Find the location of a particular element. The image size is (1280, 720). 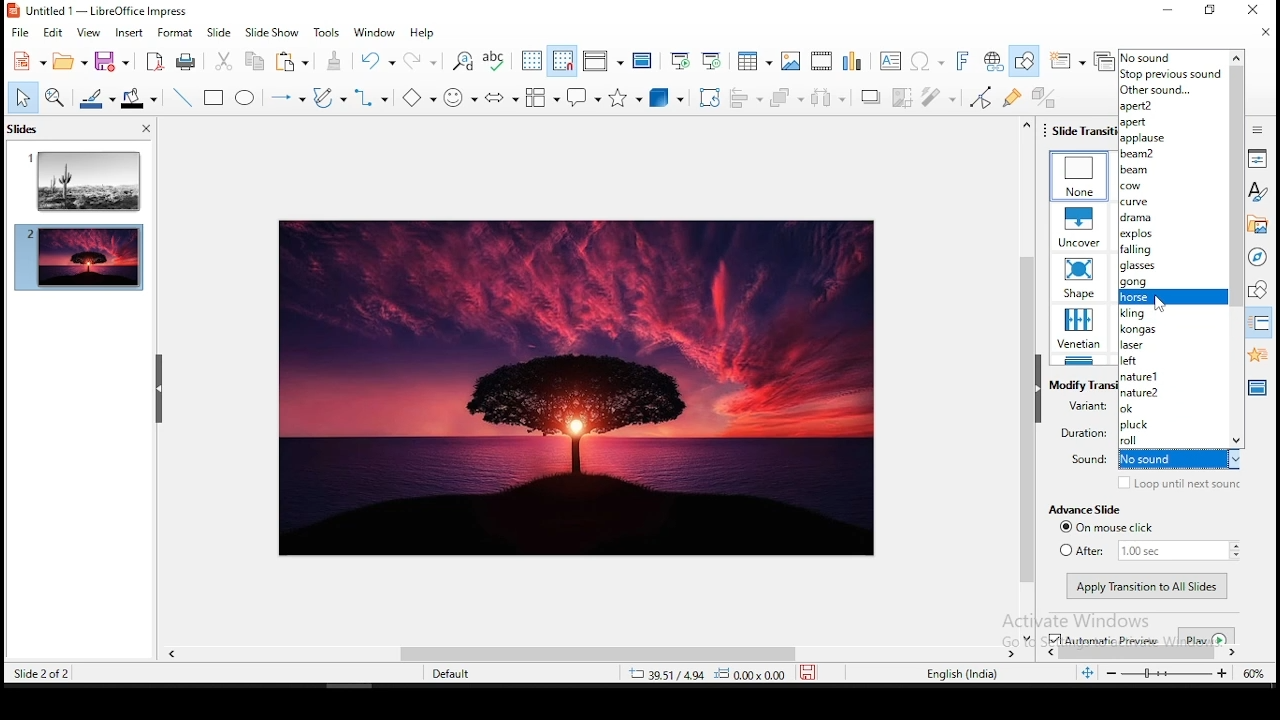

fit to width is located at coordinates (1086, 676).